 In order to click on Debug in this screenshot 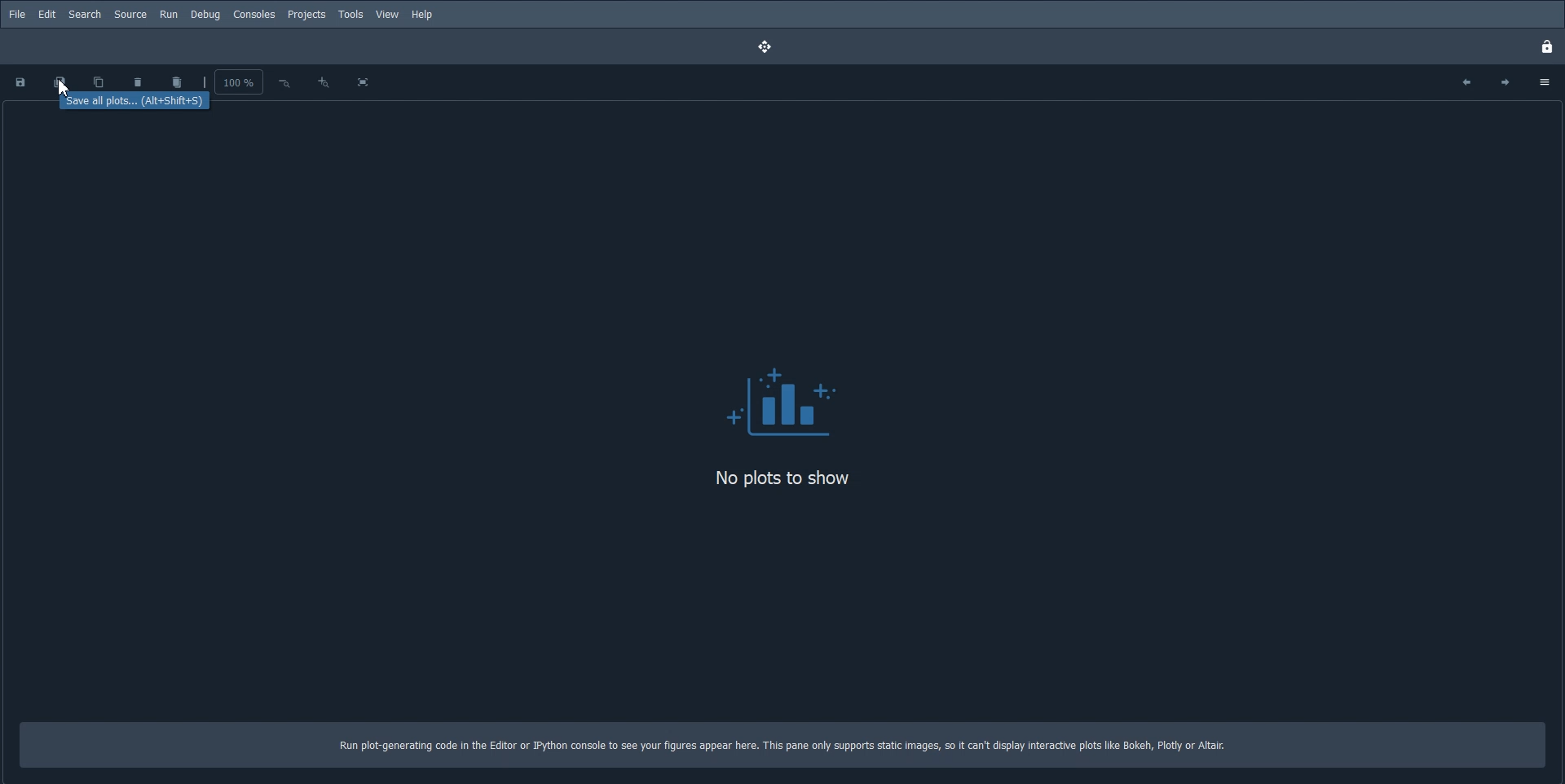, I will do `click(205, 15)`.